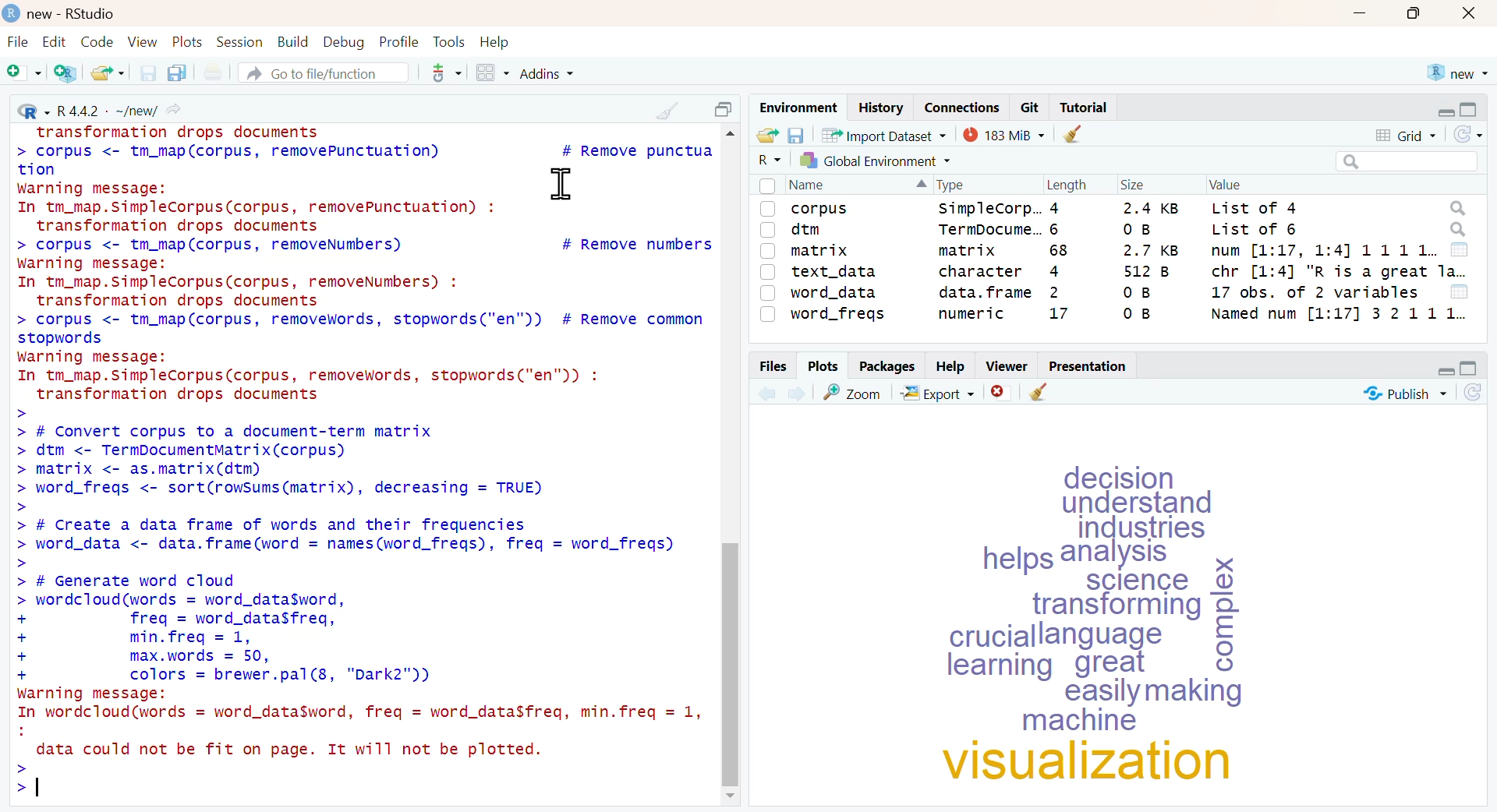 The image size is (1497, 812). I want to click on Tools, so click(451, 42).